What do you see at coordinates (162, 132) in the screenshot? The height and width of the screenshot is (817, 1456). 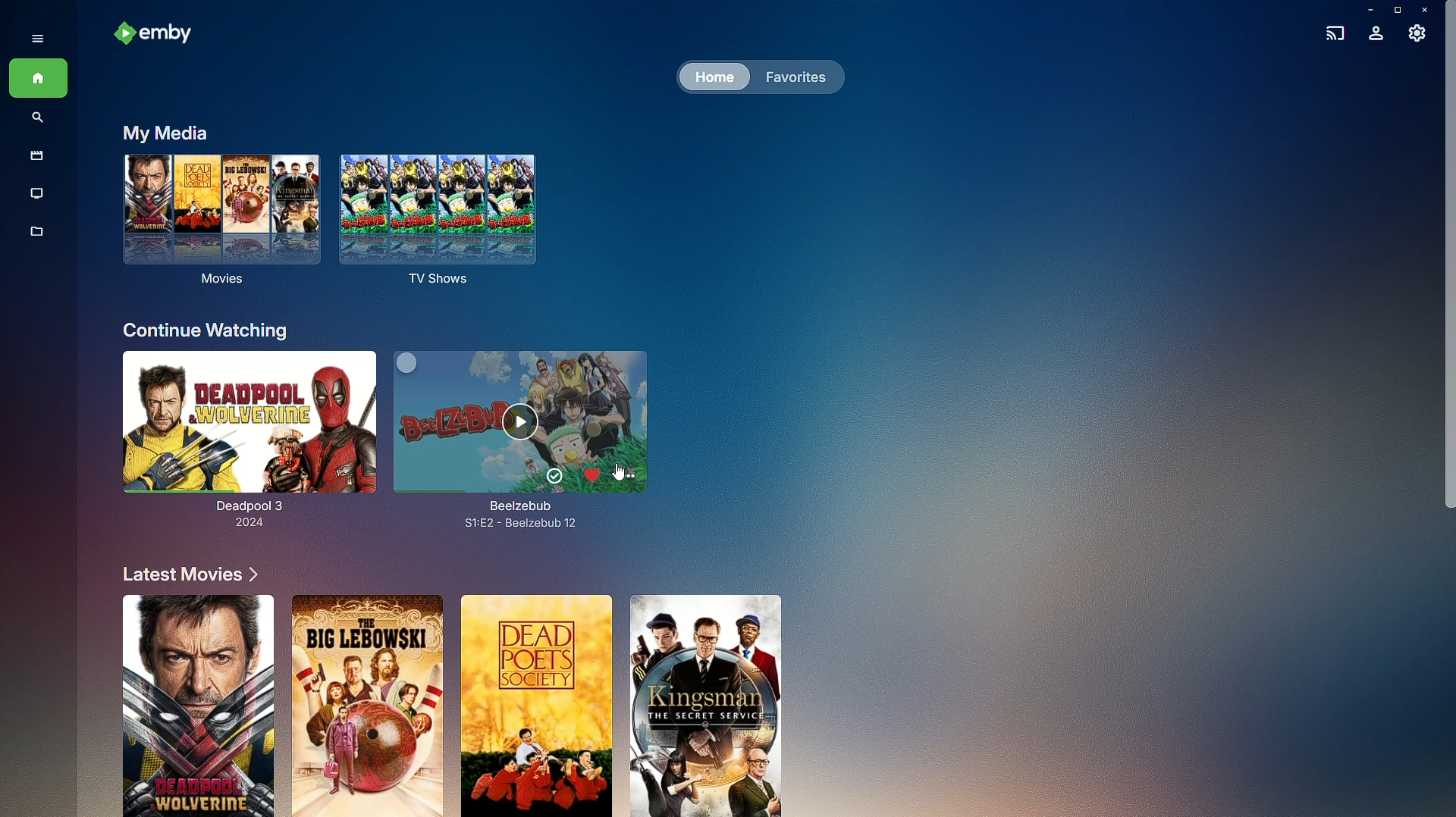 I see `My Media` at bounding box center [162, 132].